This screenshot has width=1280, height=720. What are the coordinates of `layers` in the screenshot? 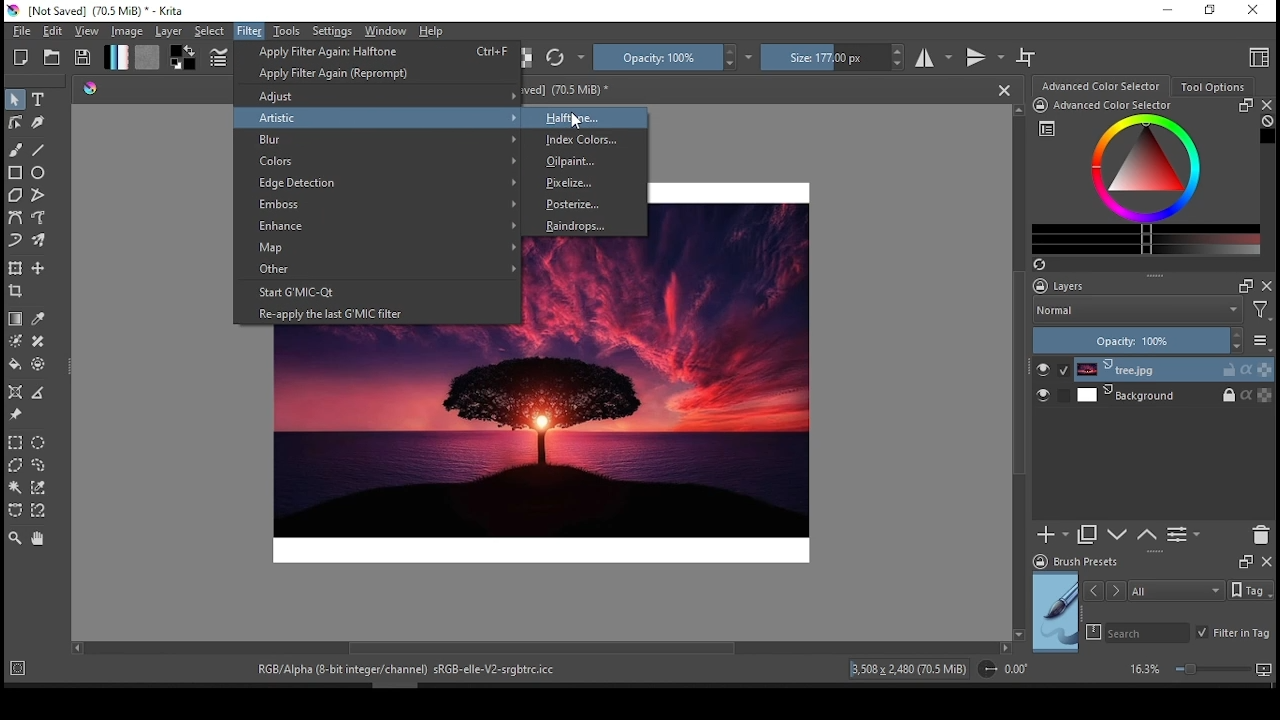 It's located at (1056, 284).